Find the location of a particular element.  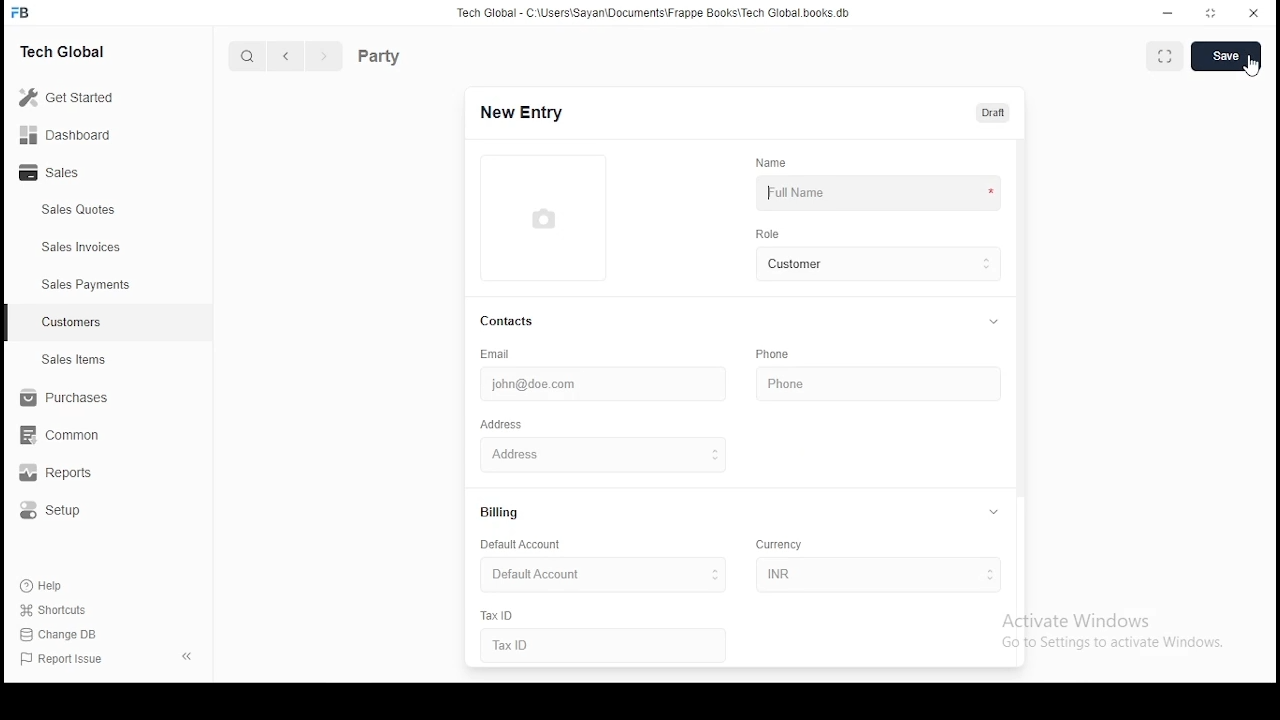

billing is located at coordinates (501, 514).